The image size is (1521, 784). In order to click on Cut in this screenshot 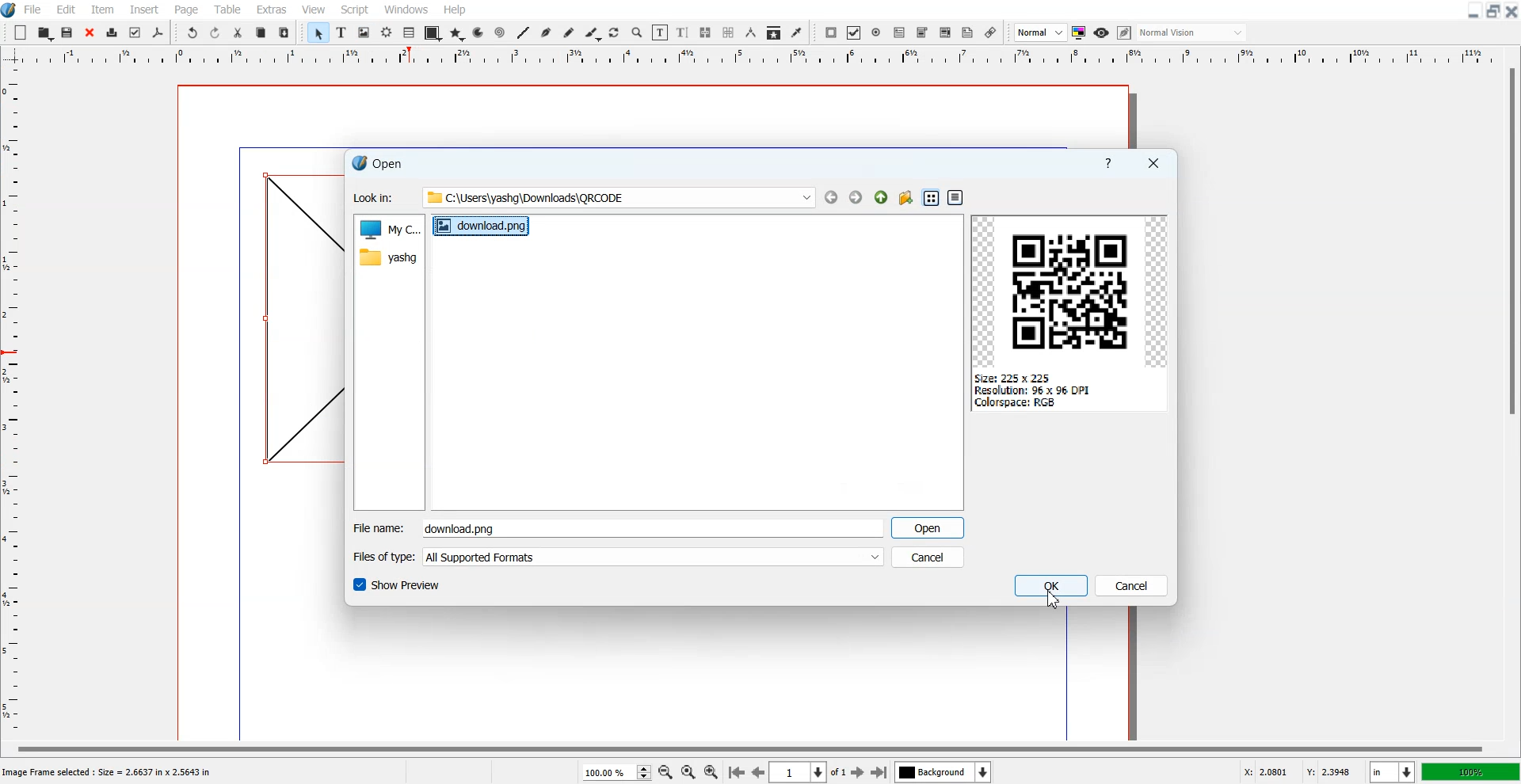, I will do `click(238, 32)`.